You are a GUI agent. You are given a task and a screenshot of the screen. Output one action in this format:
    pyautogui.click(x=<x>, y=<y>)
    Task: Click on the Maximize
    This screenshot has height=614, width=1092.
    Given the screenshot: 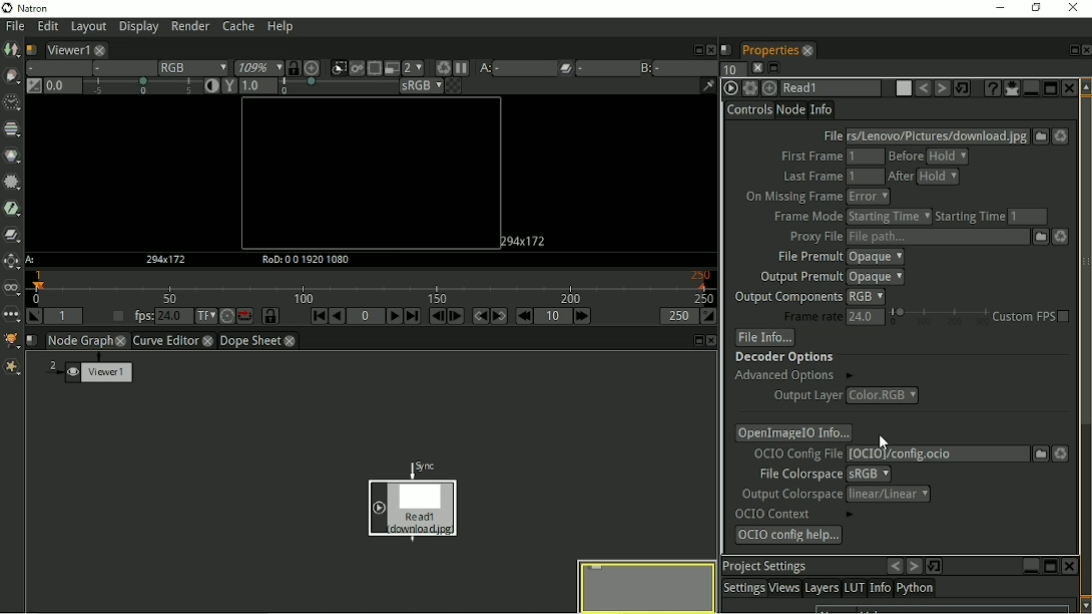 What is the action you would take?
    pyautogui.click(x=1051, y=88)
    